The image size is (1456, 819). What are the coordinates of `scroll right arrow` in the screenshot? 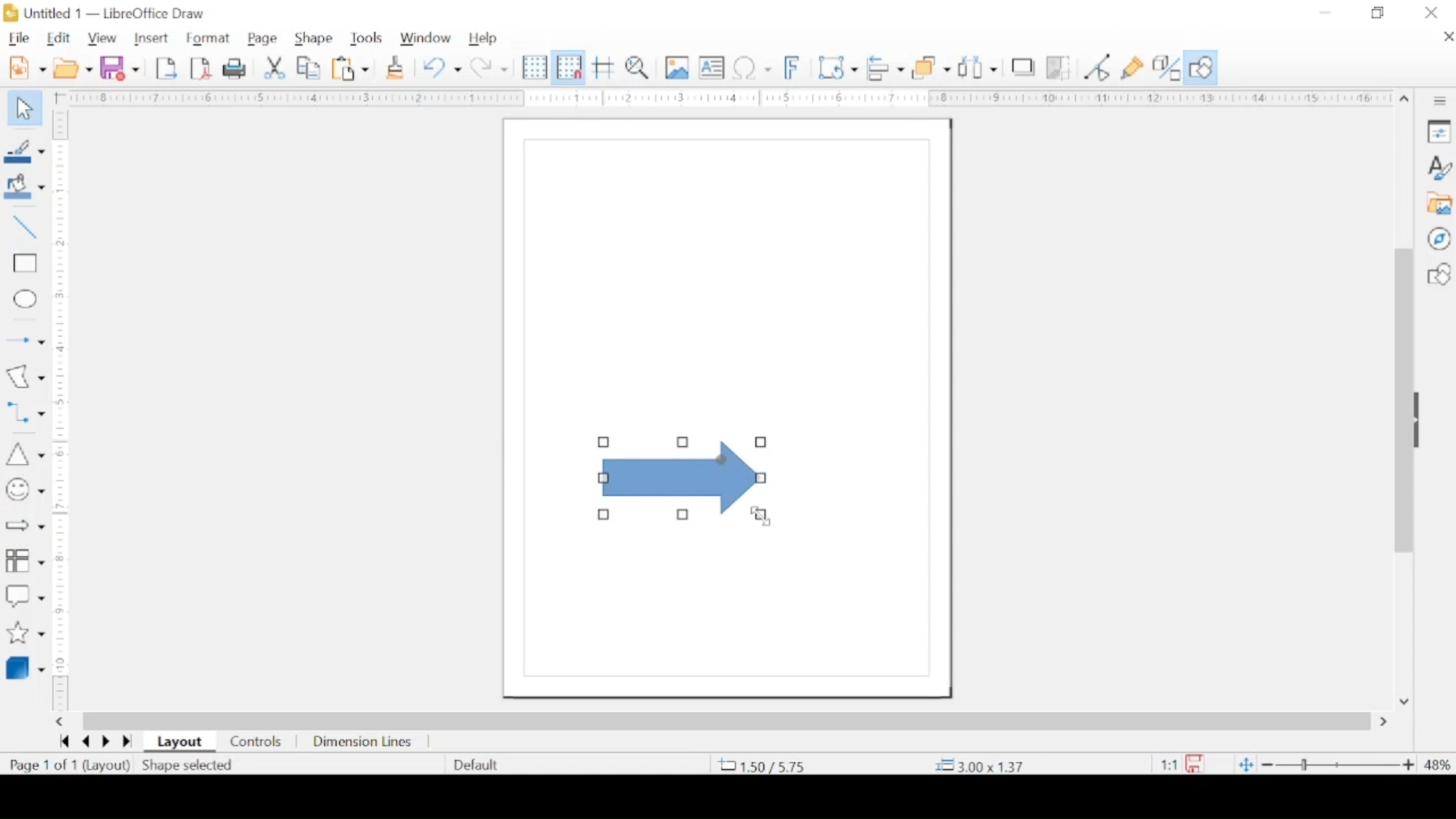 It's located at (1387, 722).